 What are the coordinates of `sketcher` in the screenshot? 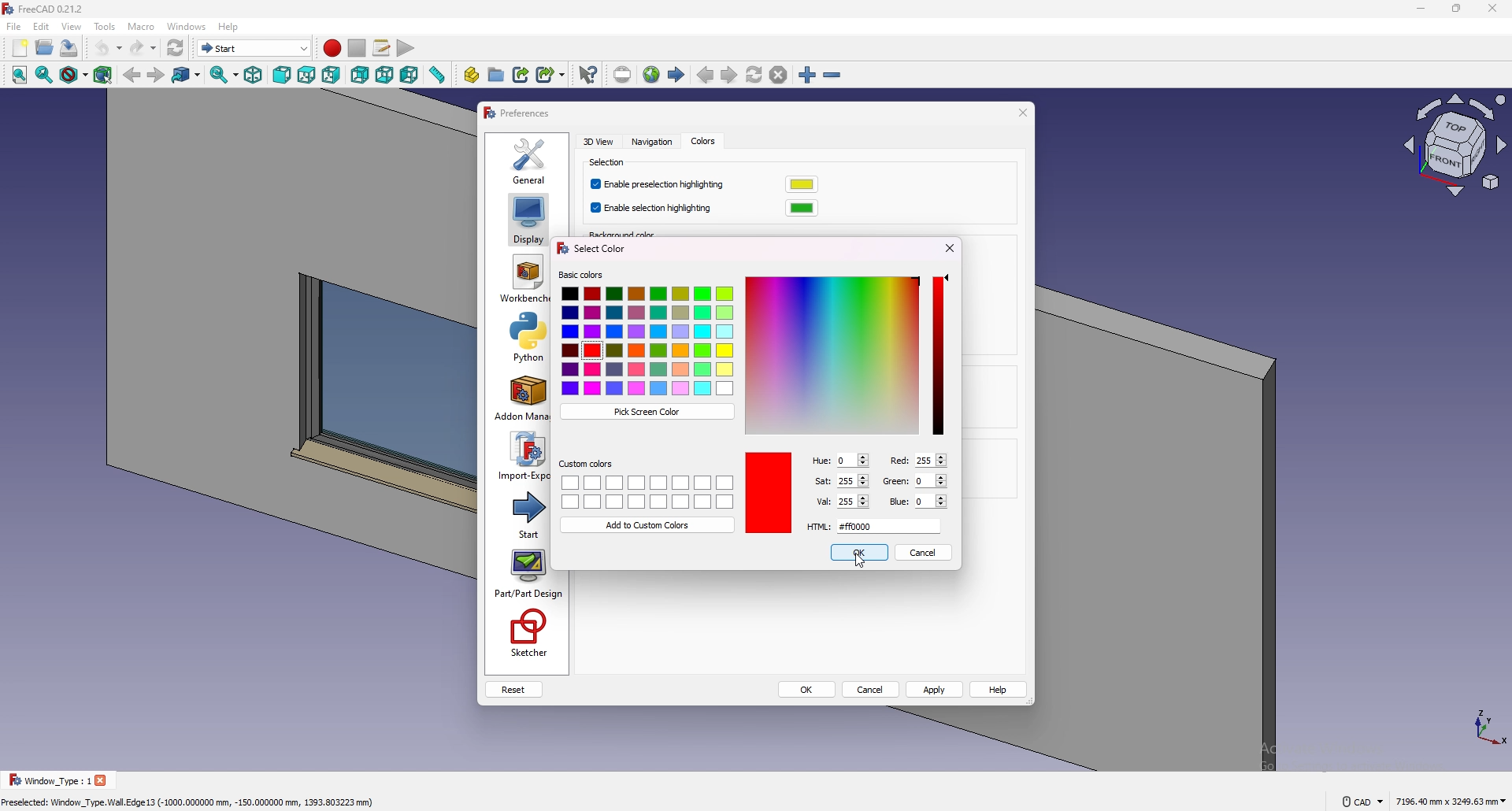 It's located at (527, 634).